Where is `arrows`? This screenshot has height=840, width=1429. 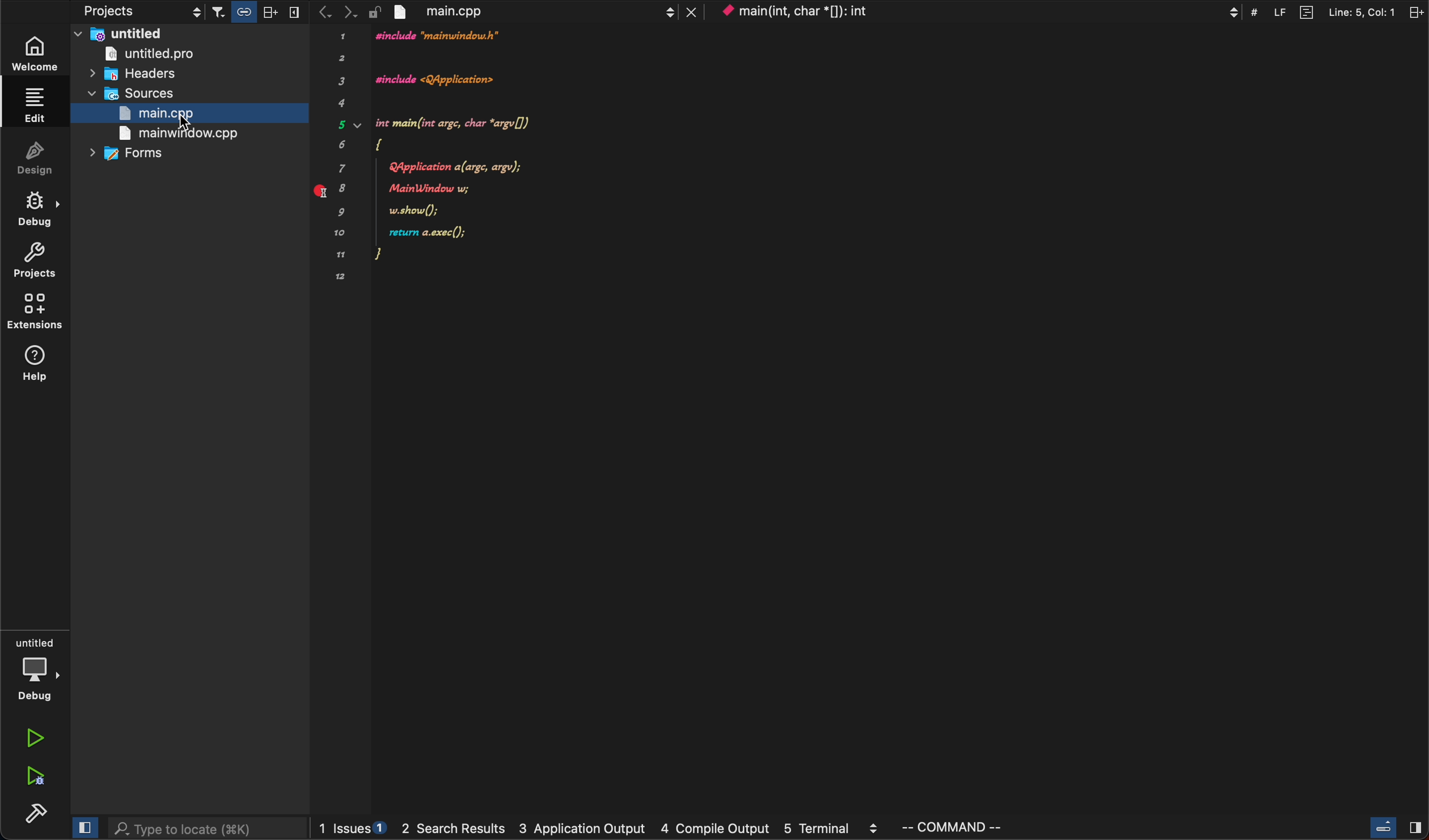
arrows is located at coordinates (332, 12).